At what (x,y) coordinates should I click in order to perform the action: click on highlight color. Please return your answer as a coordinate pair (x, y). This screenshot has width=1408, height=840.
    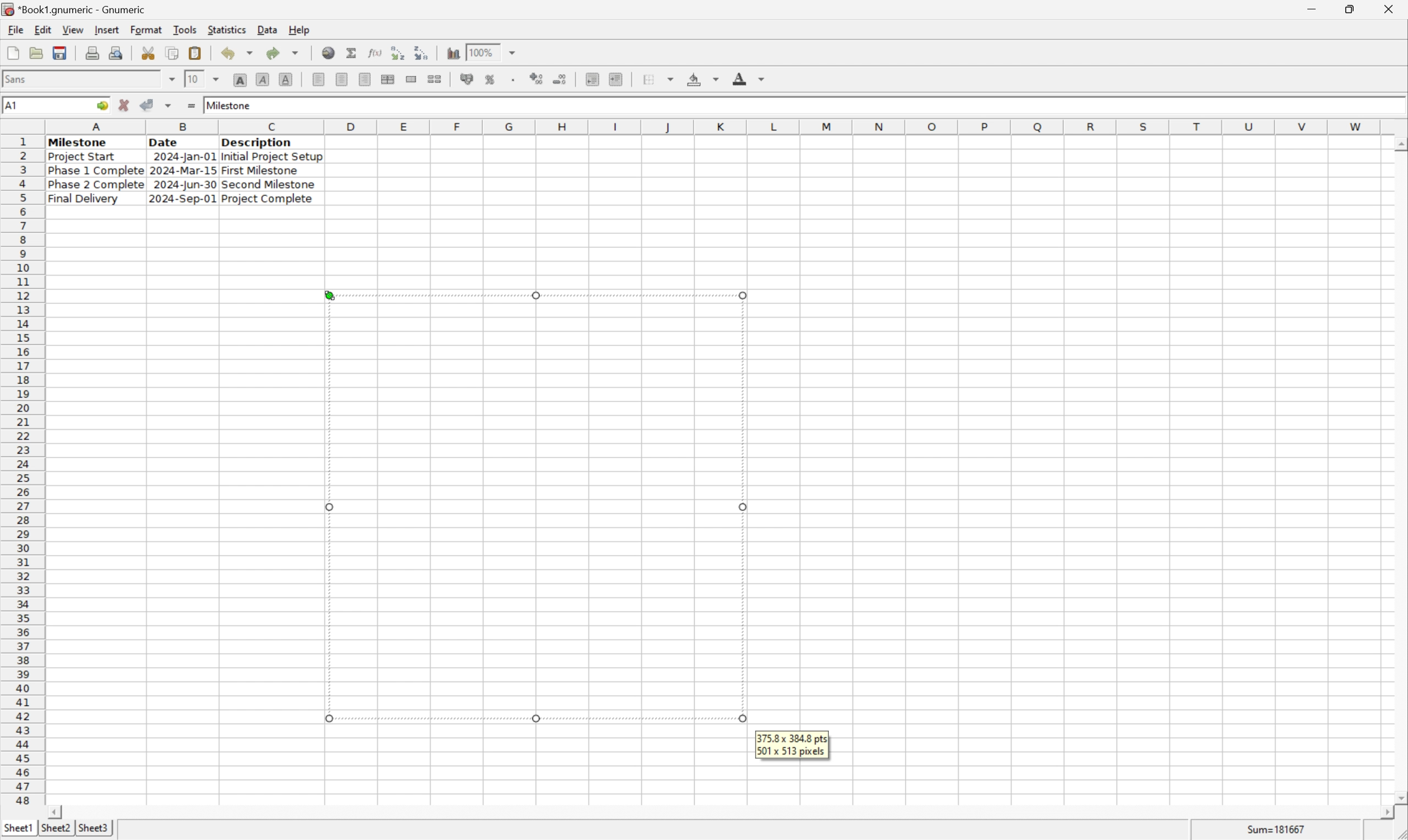
    Looking at the image, I should click on (700, 77).